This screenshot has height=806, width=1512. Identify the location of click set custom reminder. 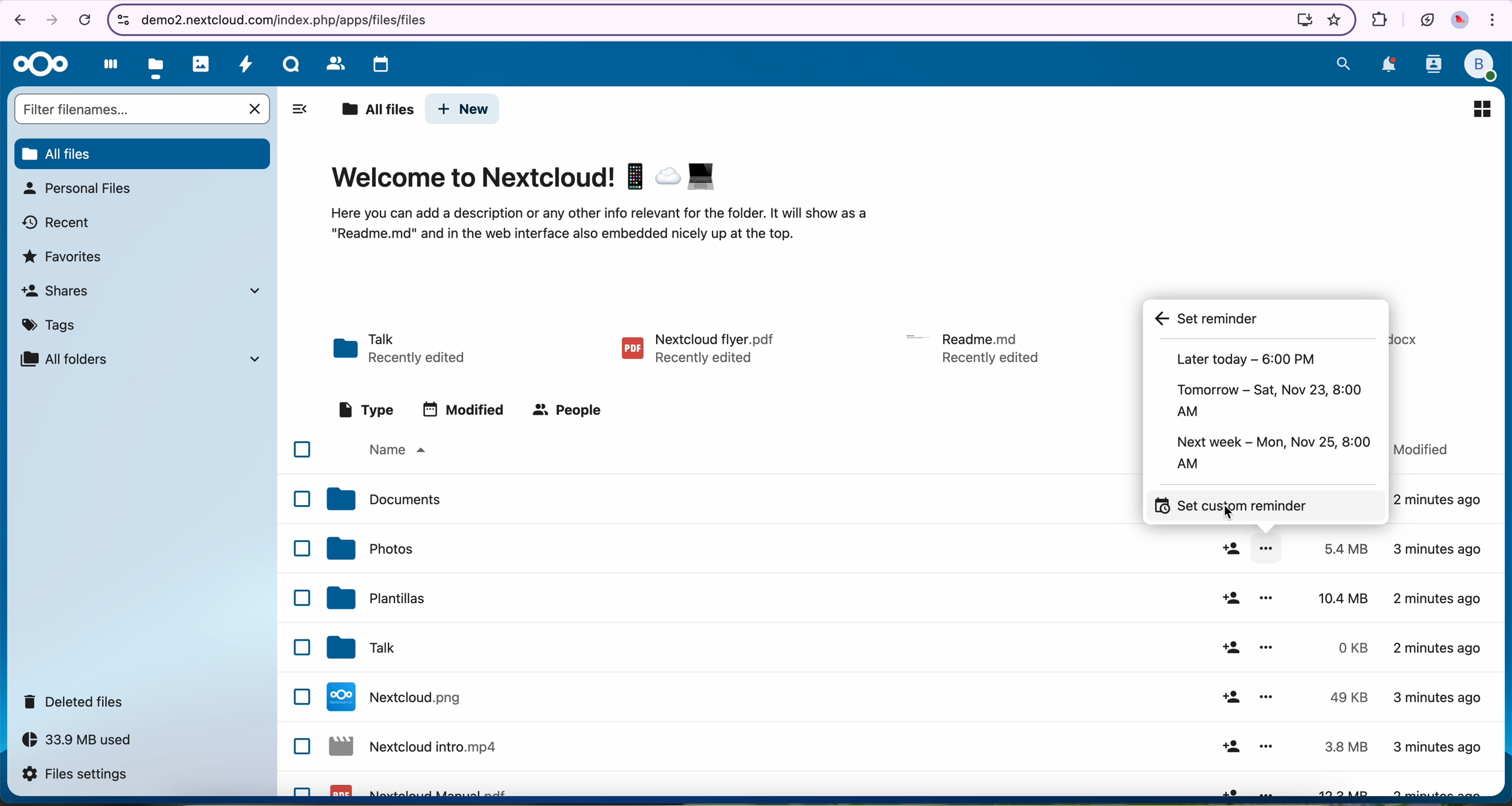
(1266, 507).